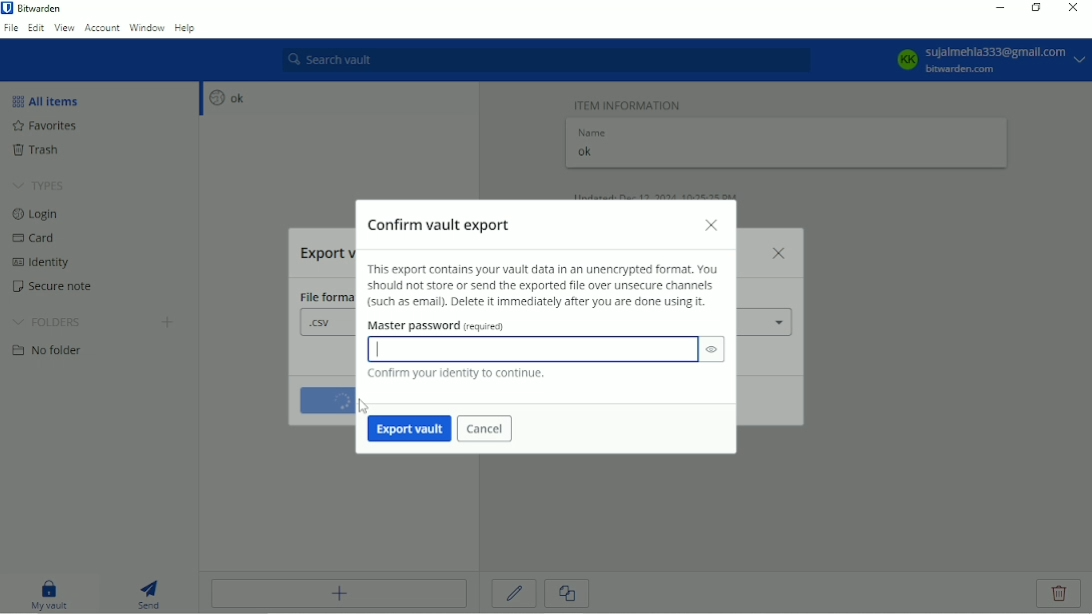  I want to click on Search vault, so click(546, 60).